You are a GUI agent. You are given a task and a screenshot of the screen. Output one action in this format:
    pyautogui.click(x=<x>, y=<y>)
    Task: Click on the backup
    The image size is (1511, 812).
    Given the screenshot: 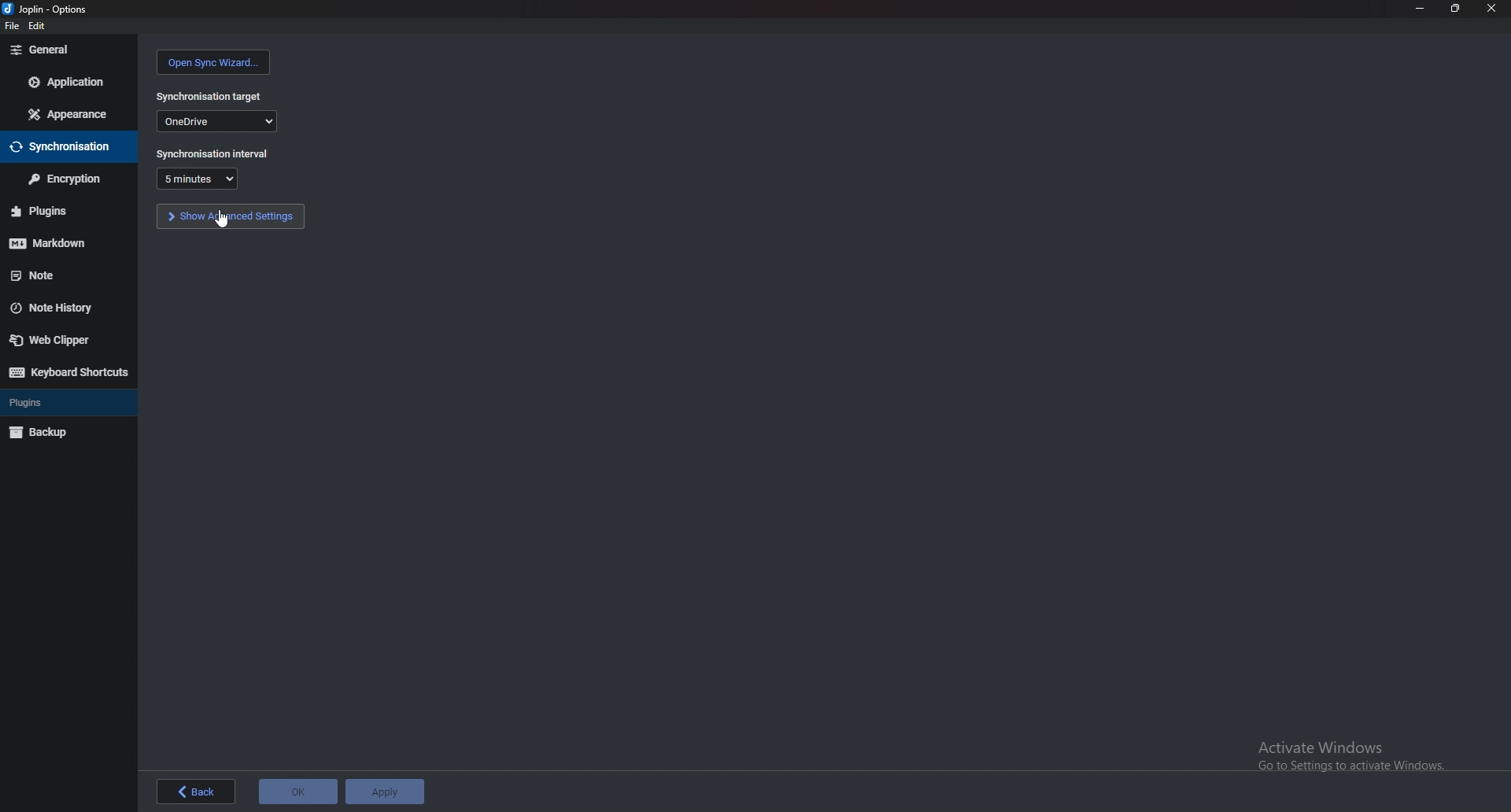 What is the action you would take?
    pyautogui.click(x=61, y=432)
    